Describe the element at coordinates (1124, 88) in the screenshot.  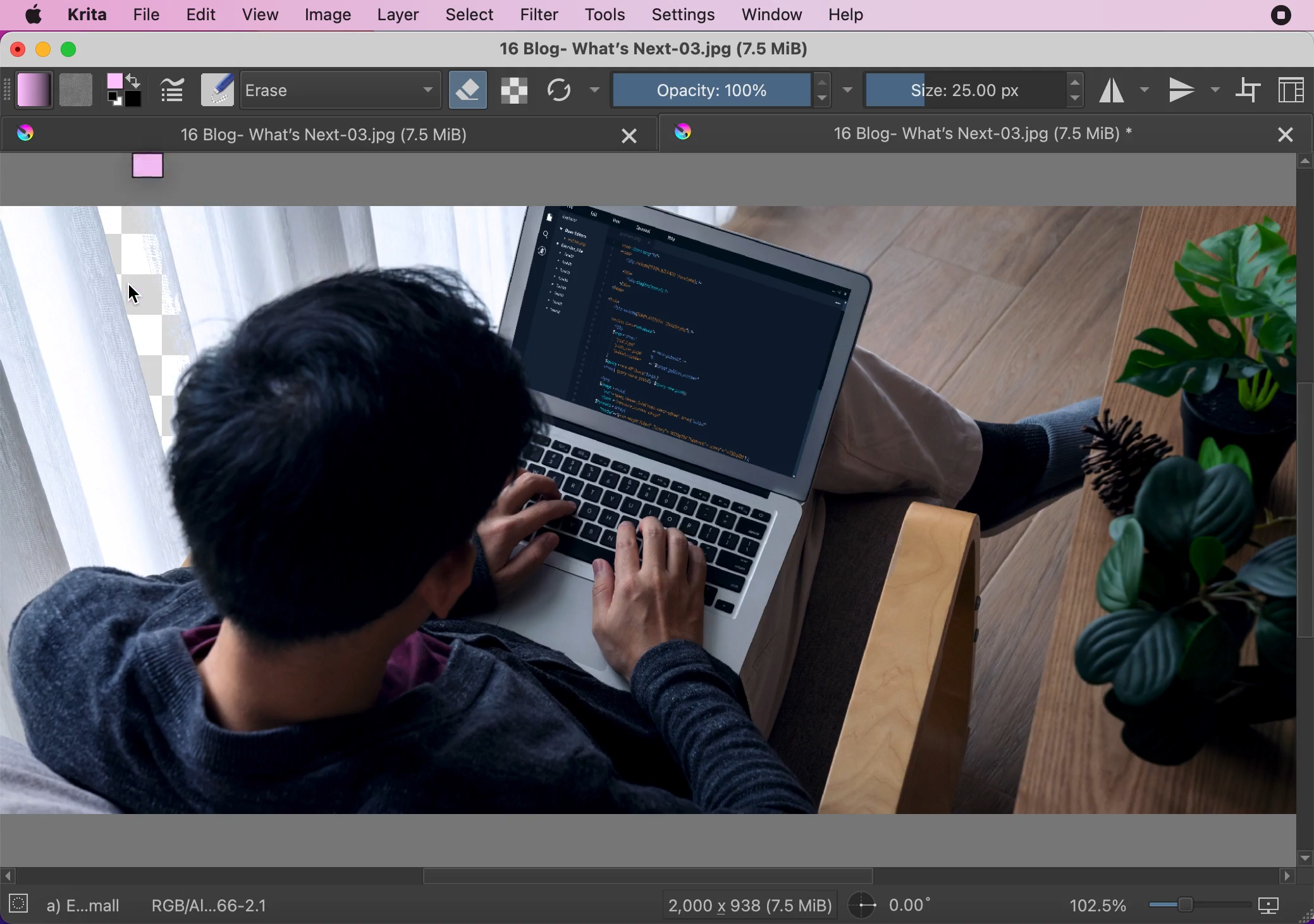
I see `horizontal mirror tool` at that location.